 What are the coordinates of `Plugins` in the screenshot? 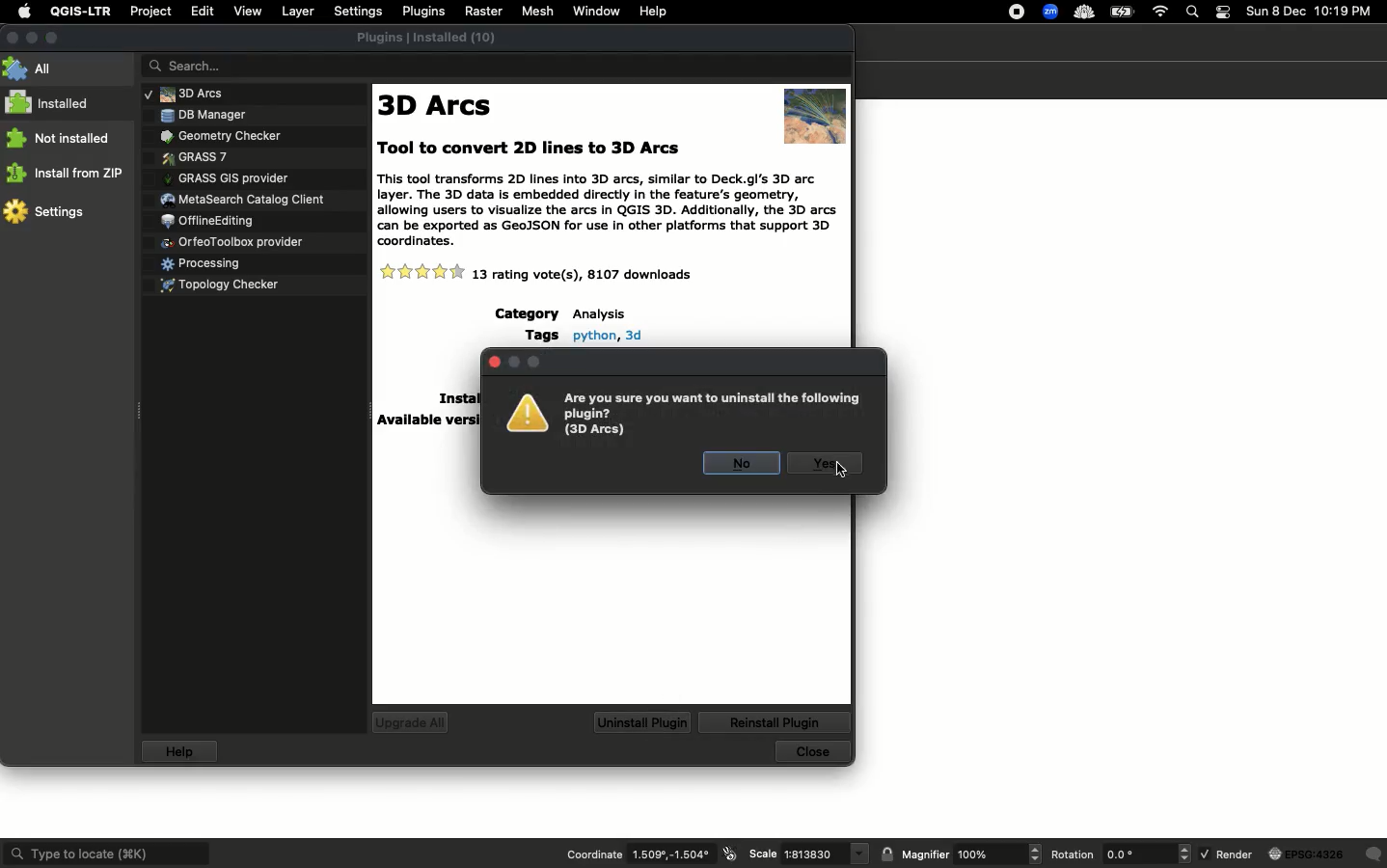 It's located at (208, 218).